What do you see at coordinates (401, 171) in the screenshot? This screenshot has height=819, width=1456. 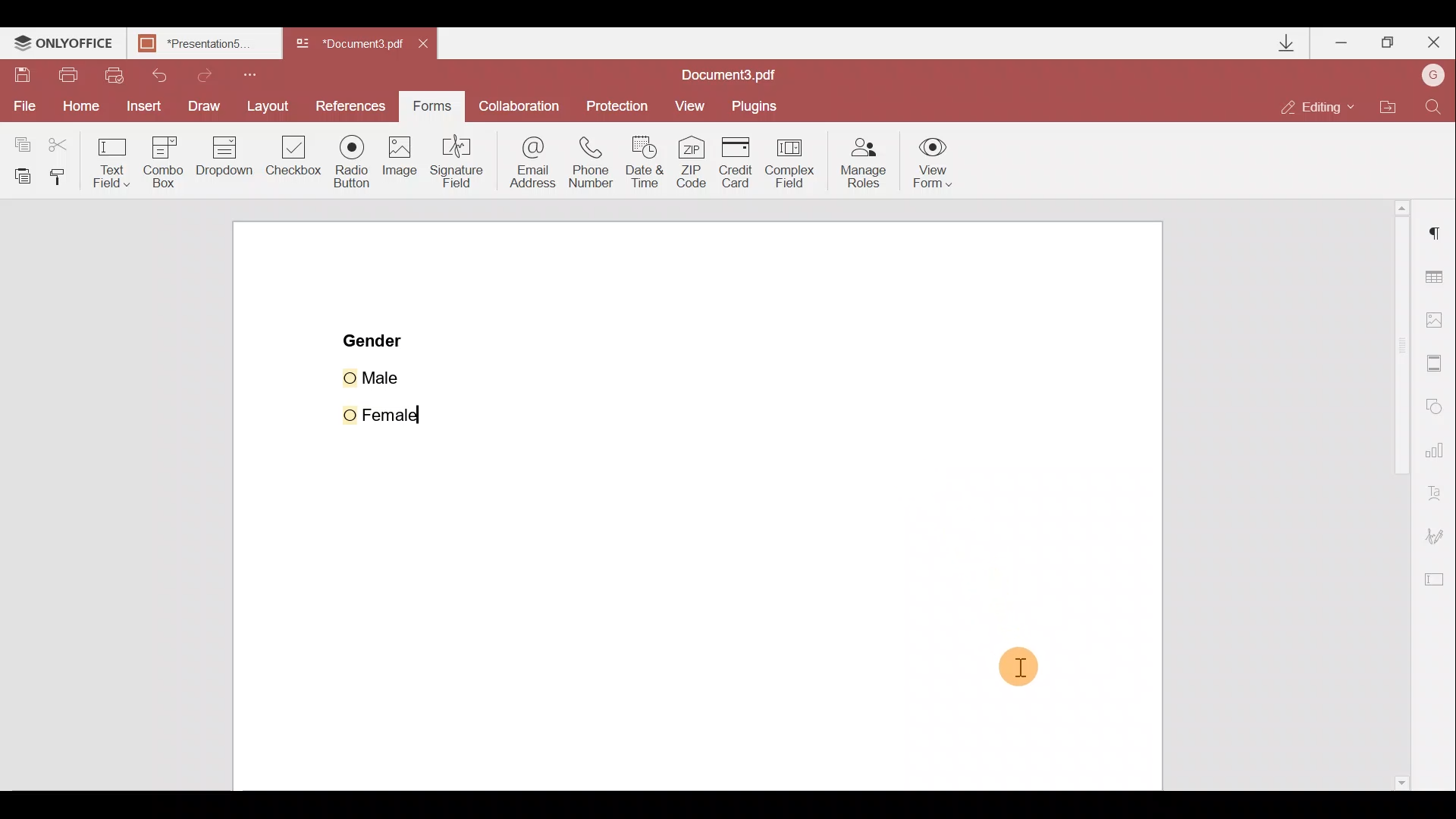 I see `Image` at bounding box center [401, 171].